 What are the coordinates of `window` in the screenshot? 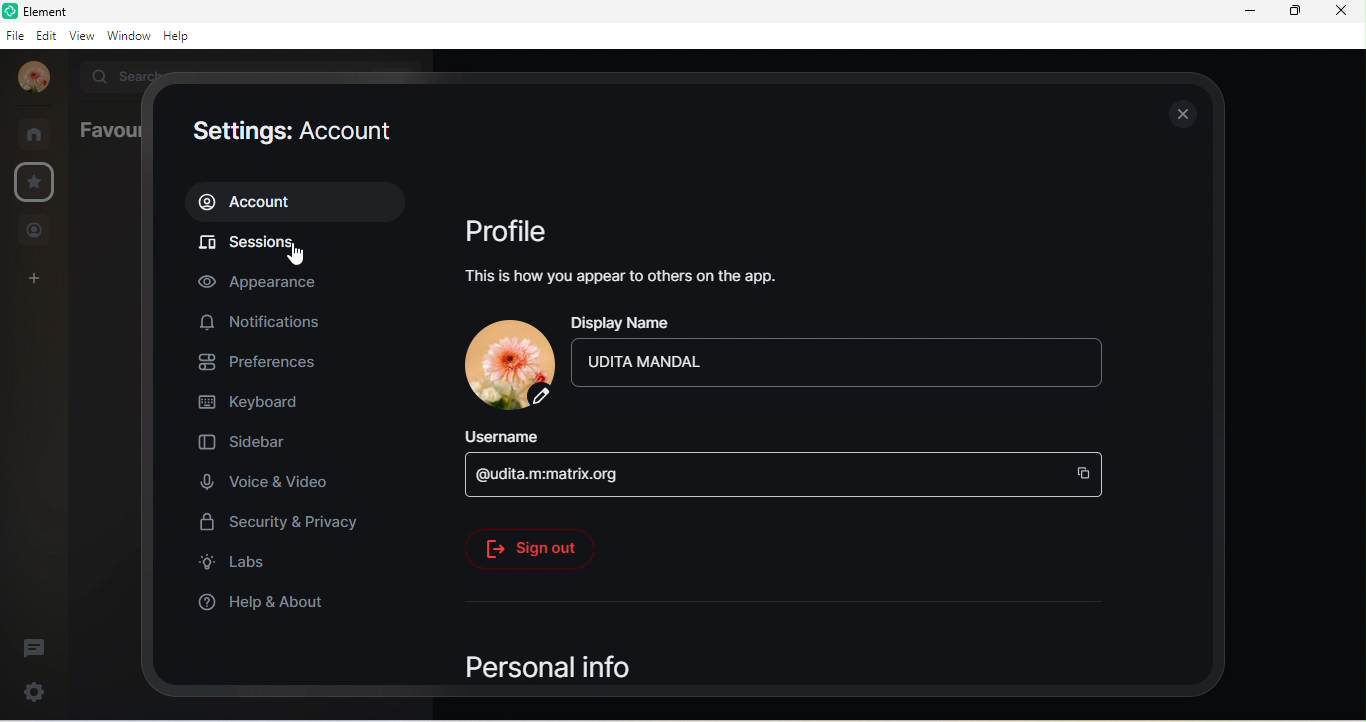 It's located at (128, 35).